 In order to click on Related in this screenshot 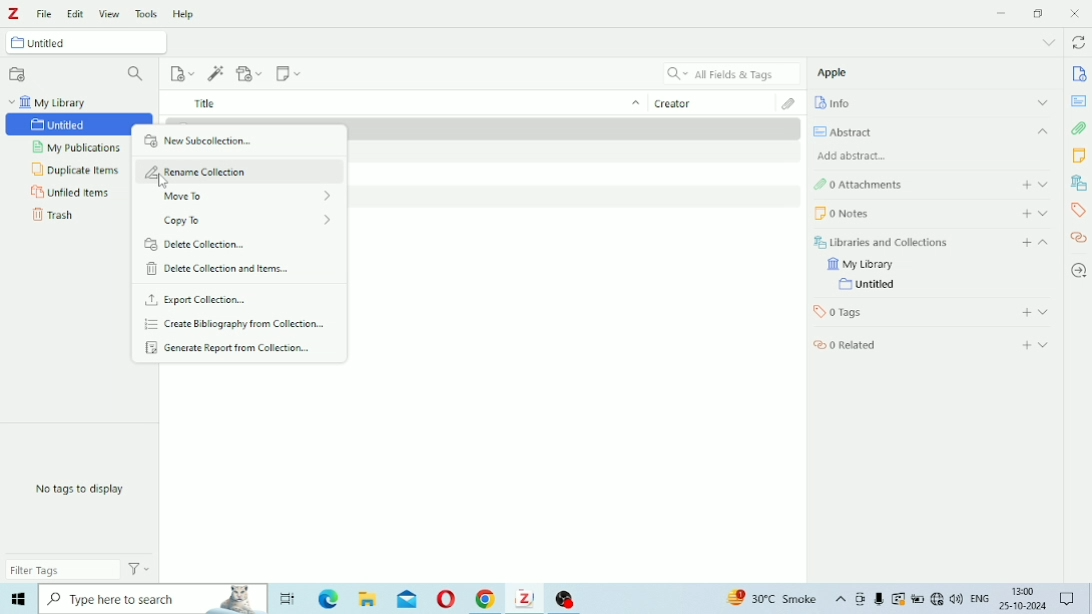, I will do `click(1079, 236)`.